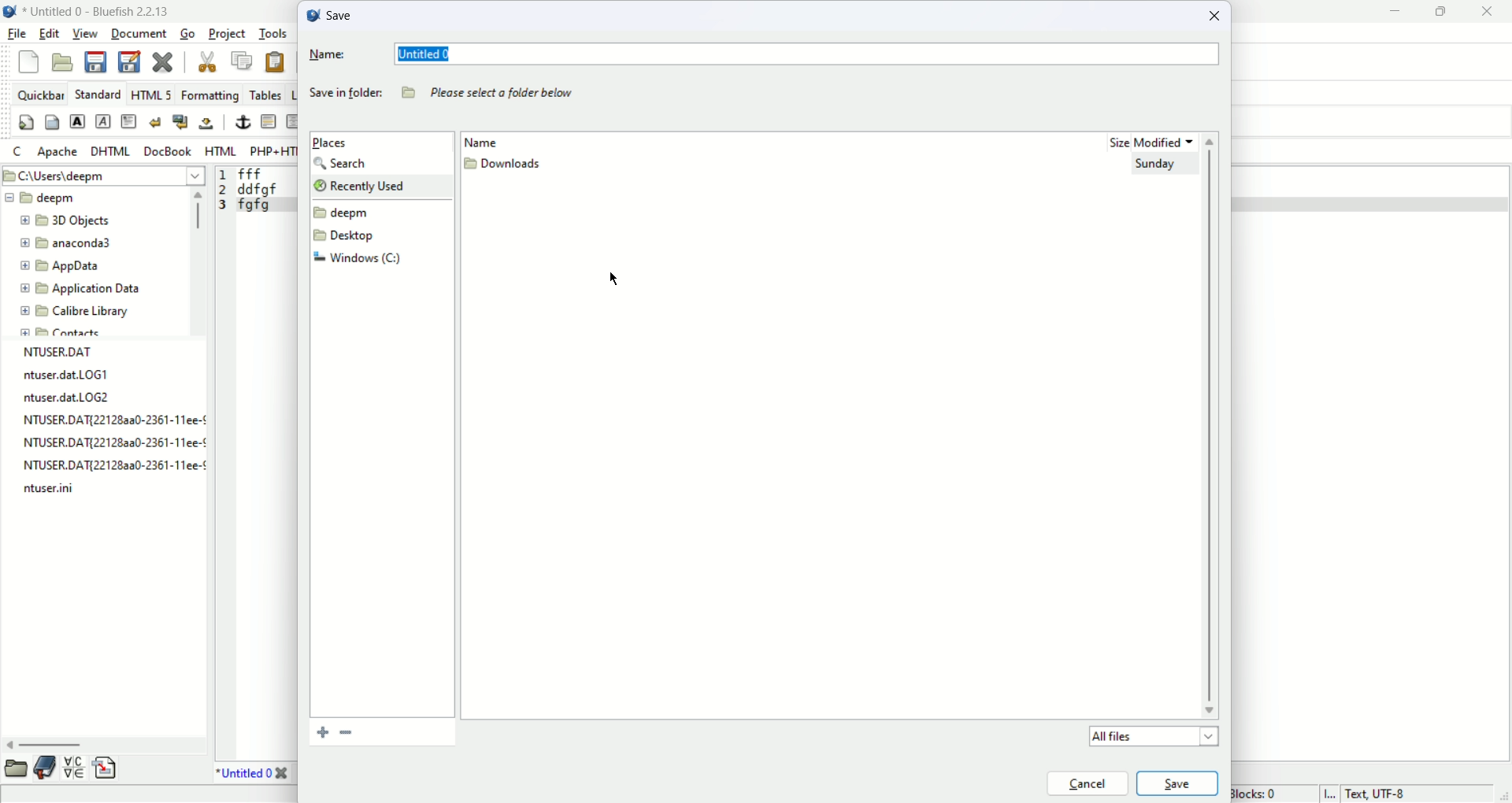 The height and width of the screenshot is (803, 1512). What do you see at coordinates (1110, 142) in the screenshot?
I see `size` at bounding box center [1110, 142].